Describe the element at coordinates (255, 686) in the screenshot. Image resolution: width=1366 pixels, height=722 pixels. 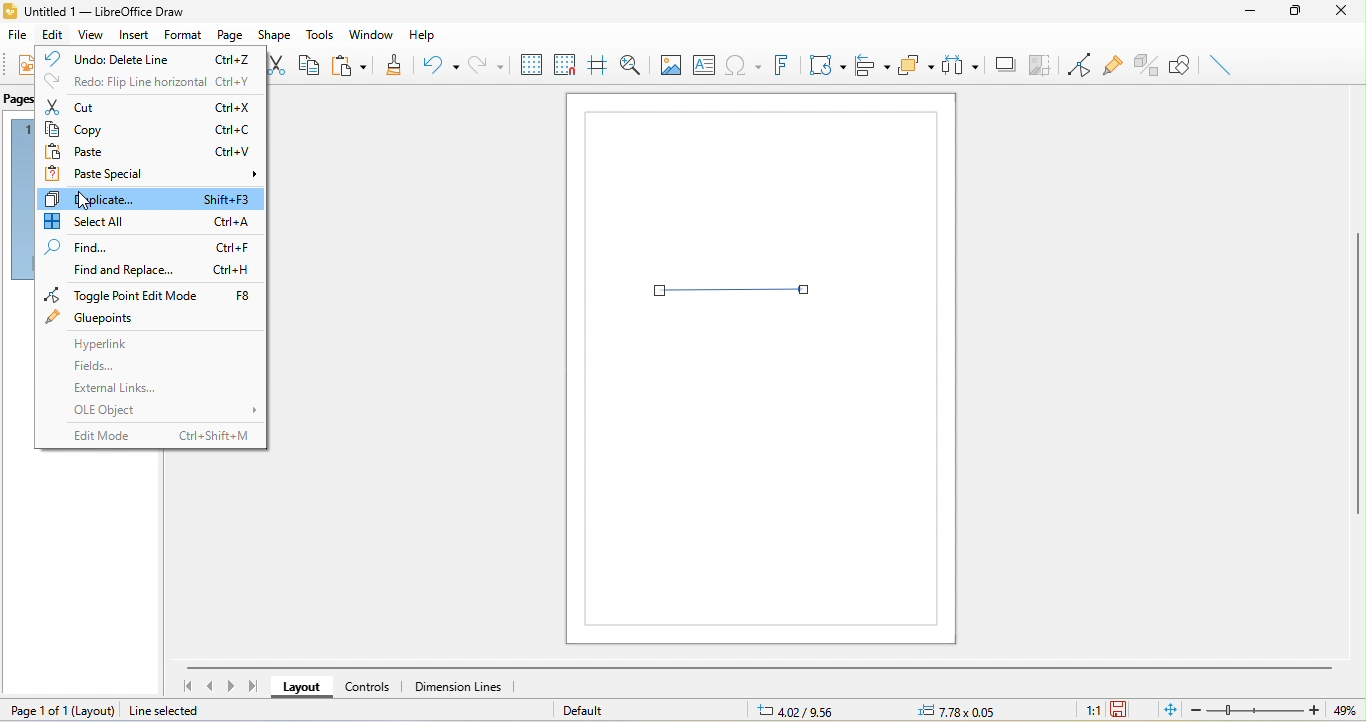
I see `last page` at that location.